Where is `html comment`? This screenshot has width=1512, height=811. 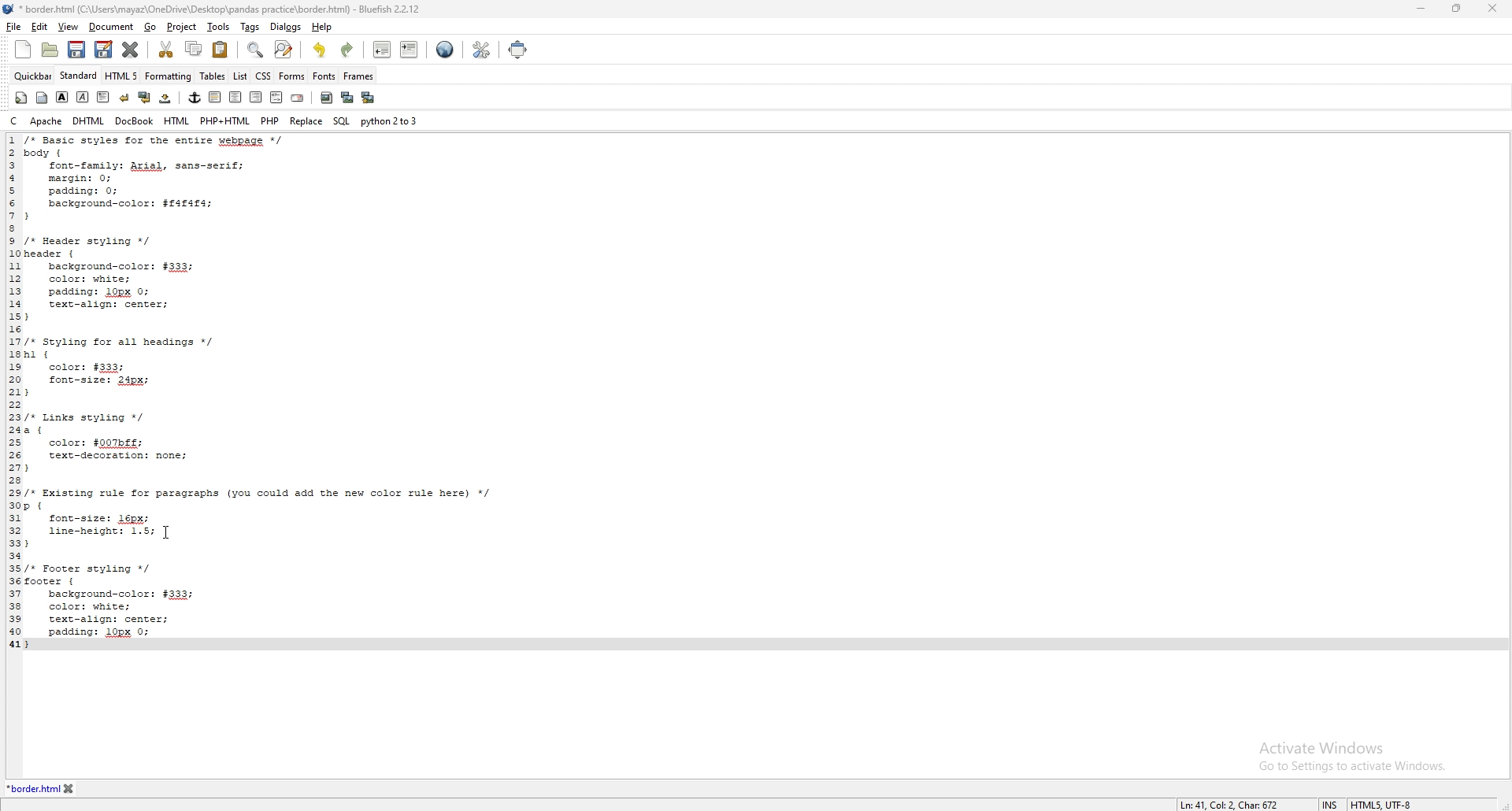
html comment is located at coordinates (277, 97).